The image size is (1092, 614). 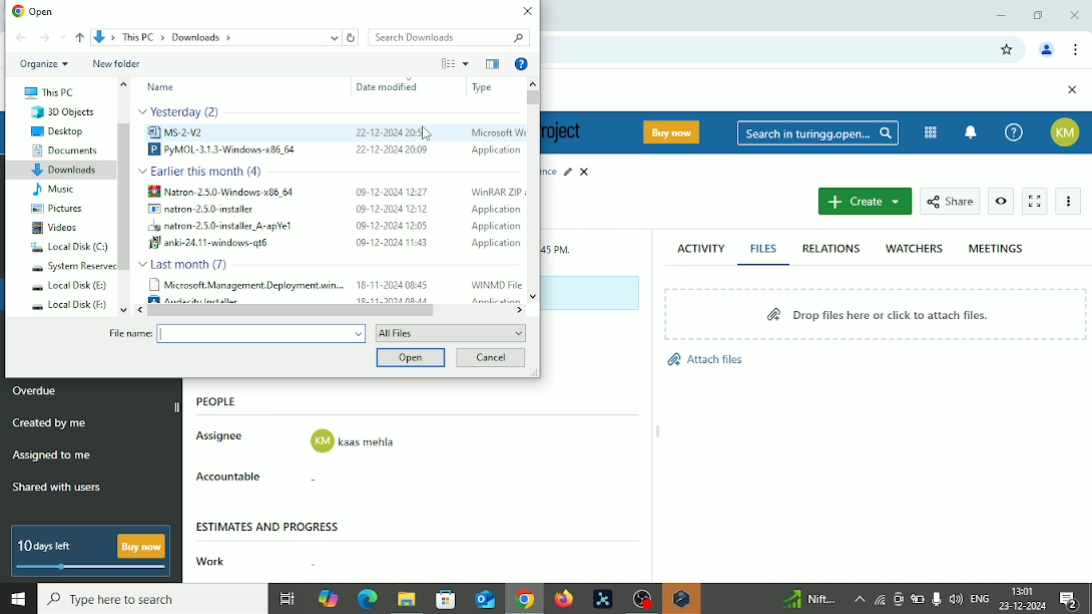 I want to click on Accountable, so click(x=236, y=477).